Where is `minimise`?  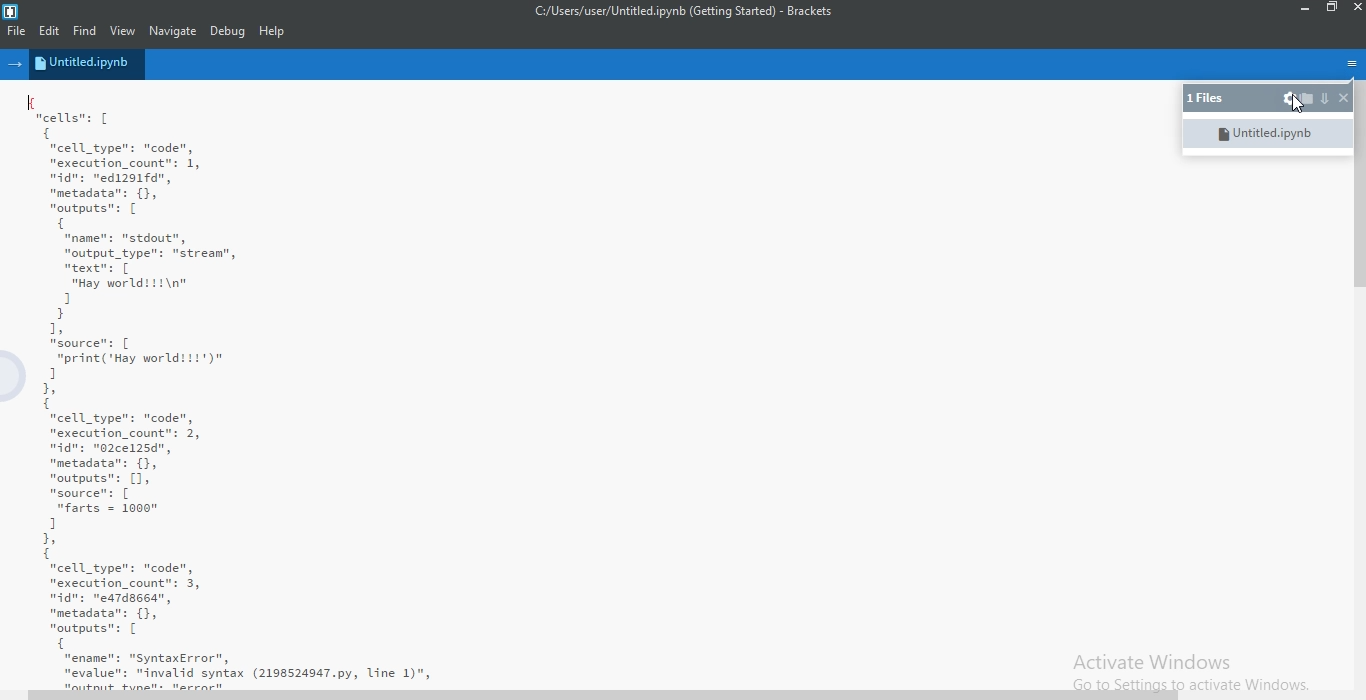 minimise is located at coordinates (1302, 9).